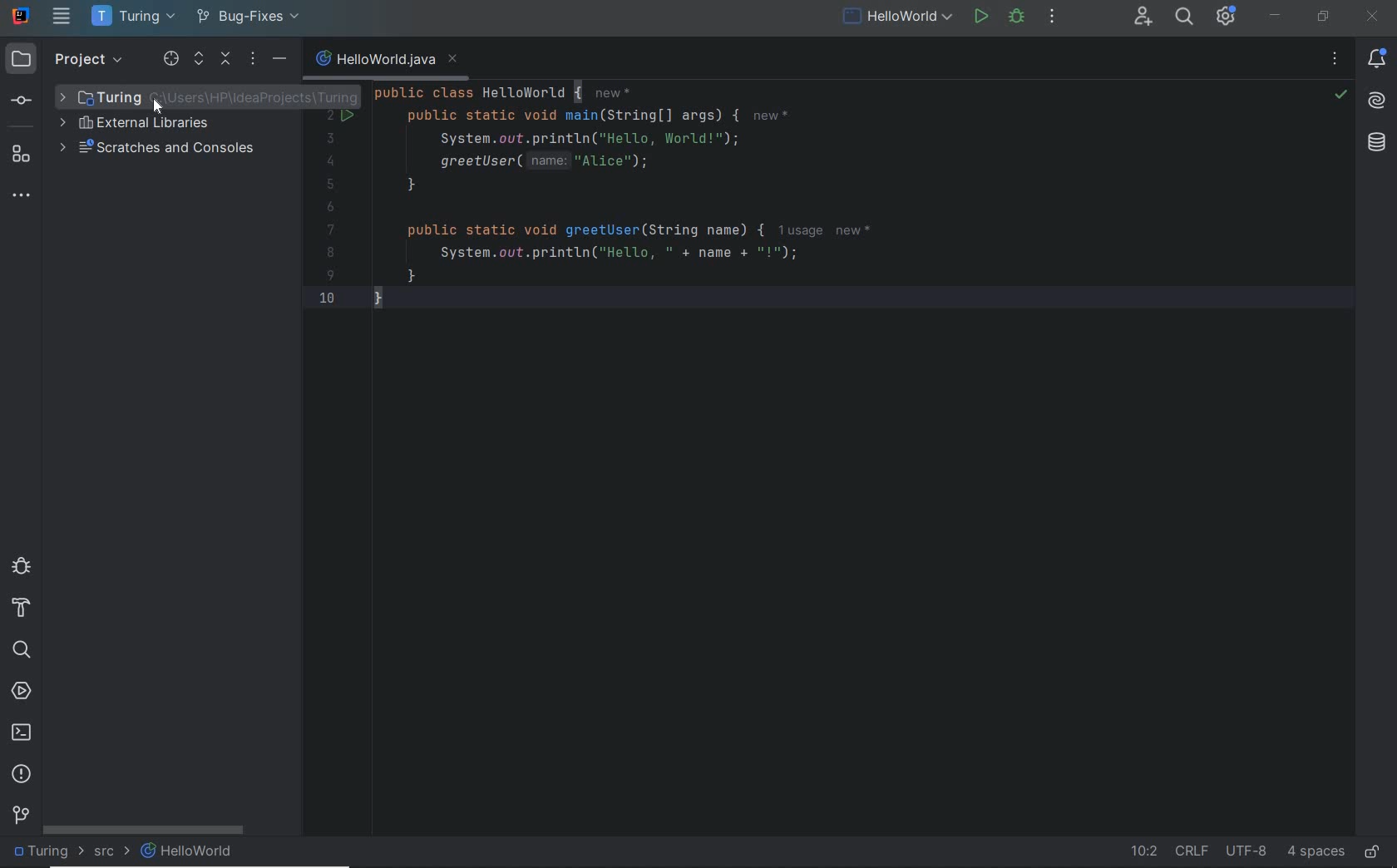 The image size is (1397, 868). What do you see at coordinates (146, 831) in the screenshot?
I see `scrollbar` at bounding box center [146, 831].